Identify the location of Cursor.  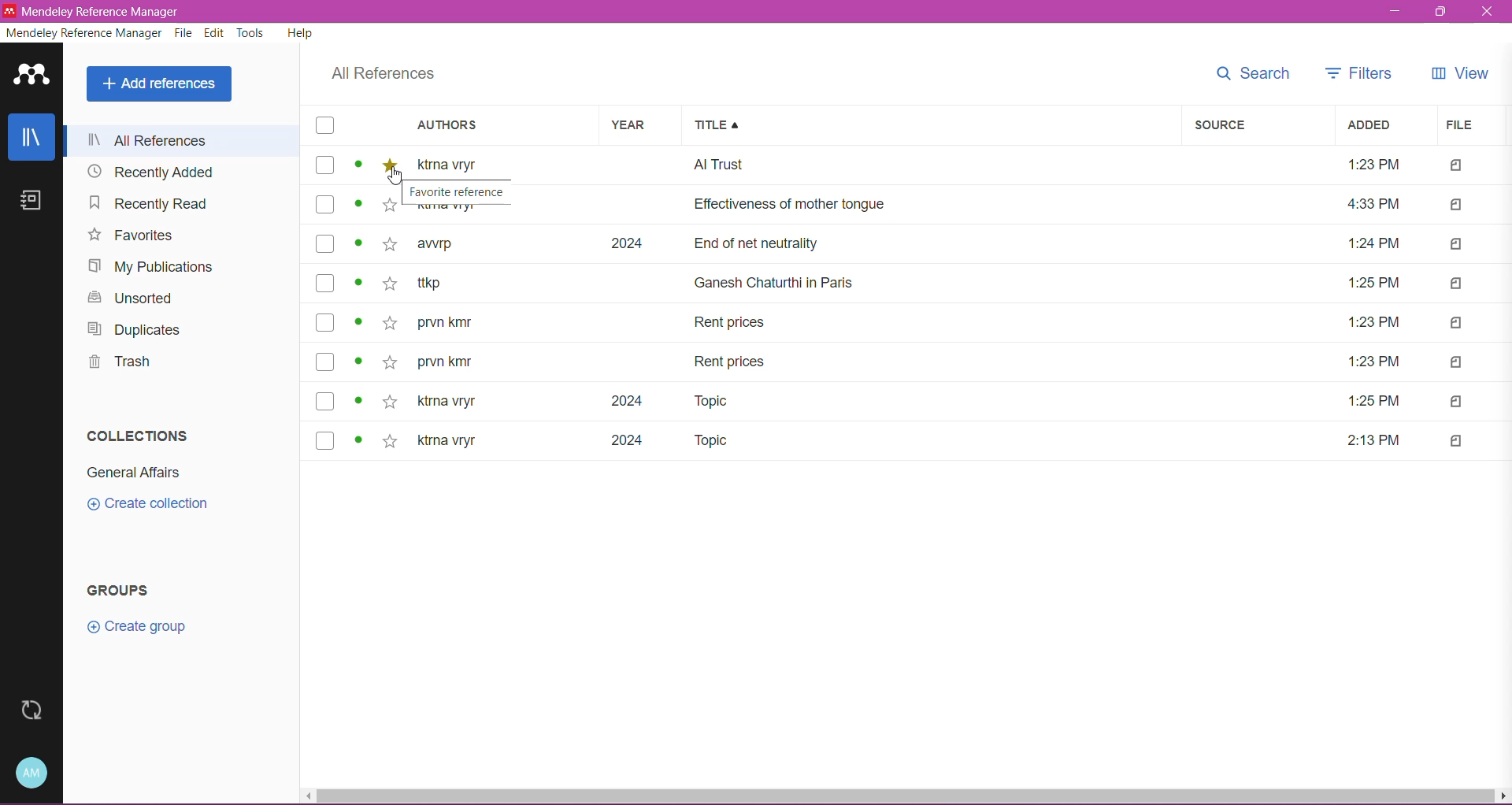
(396, 176).